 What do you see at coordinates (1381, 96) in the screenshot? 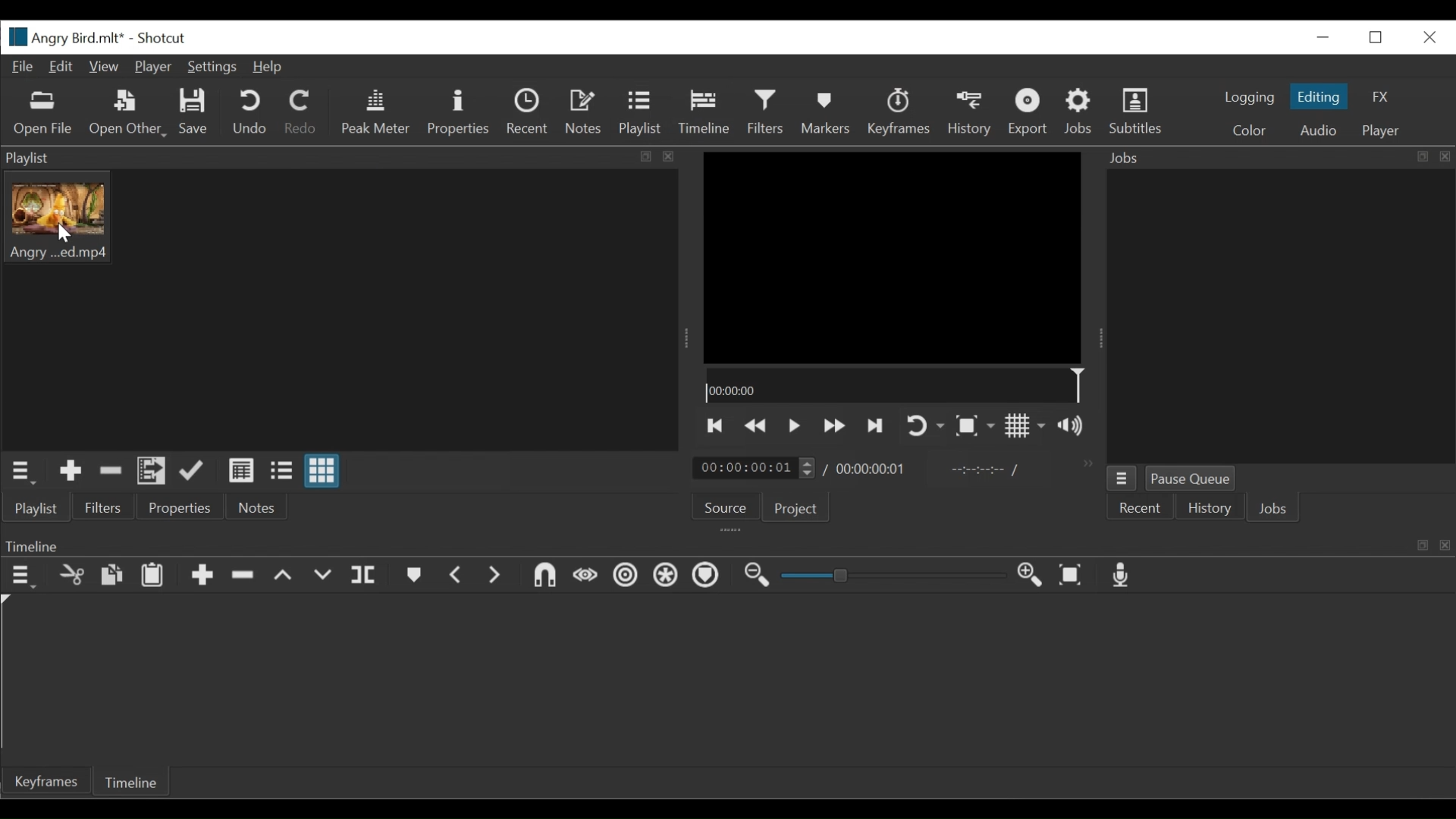
I see `FX` at bounding box center [1381, 96].